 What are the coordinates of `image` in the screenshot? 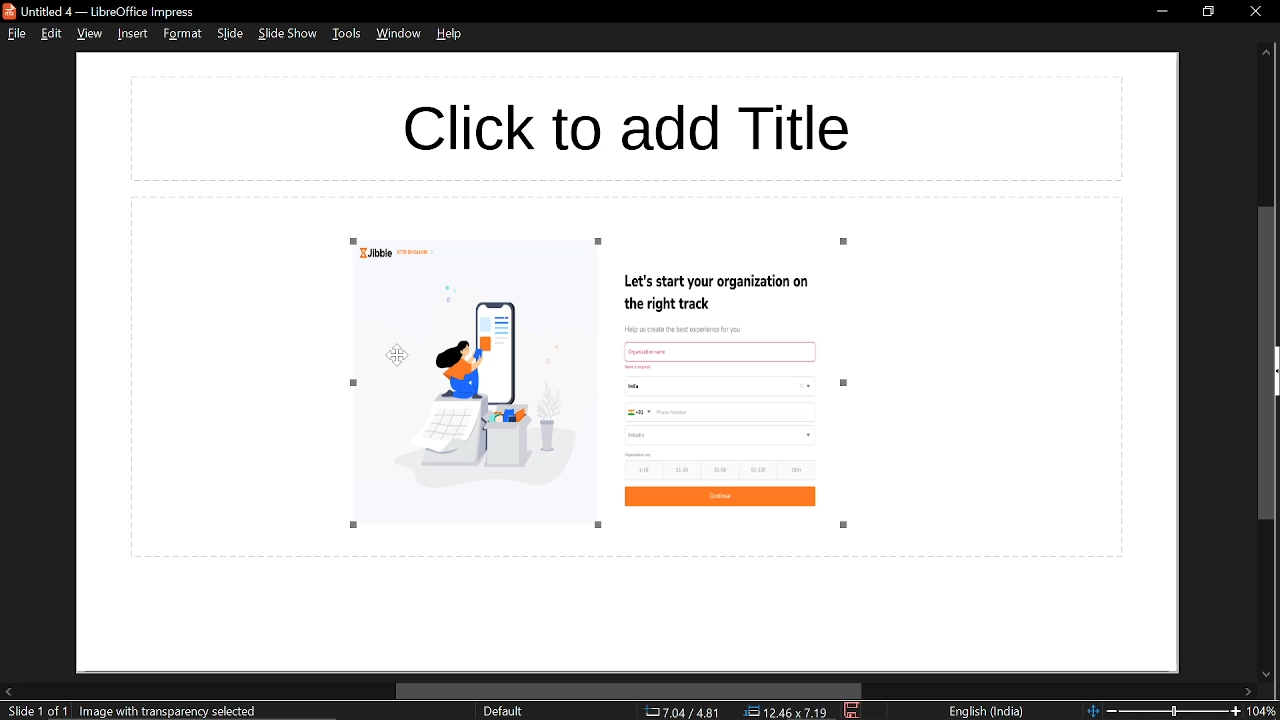 It's located at (610, 385).